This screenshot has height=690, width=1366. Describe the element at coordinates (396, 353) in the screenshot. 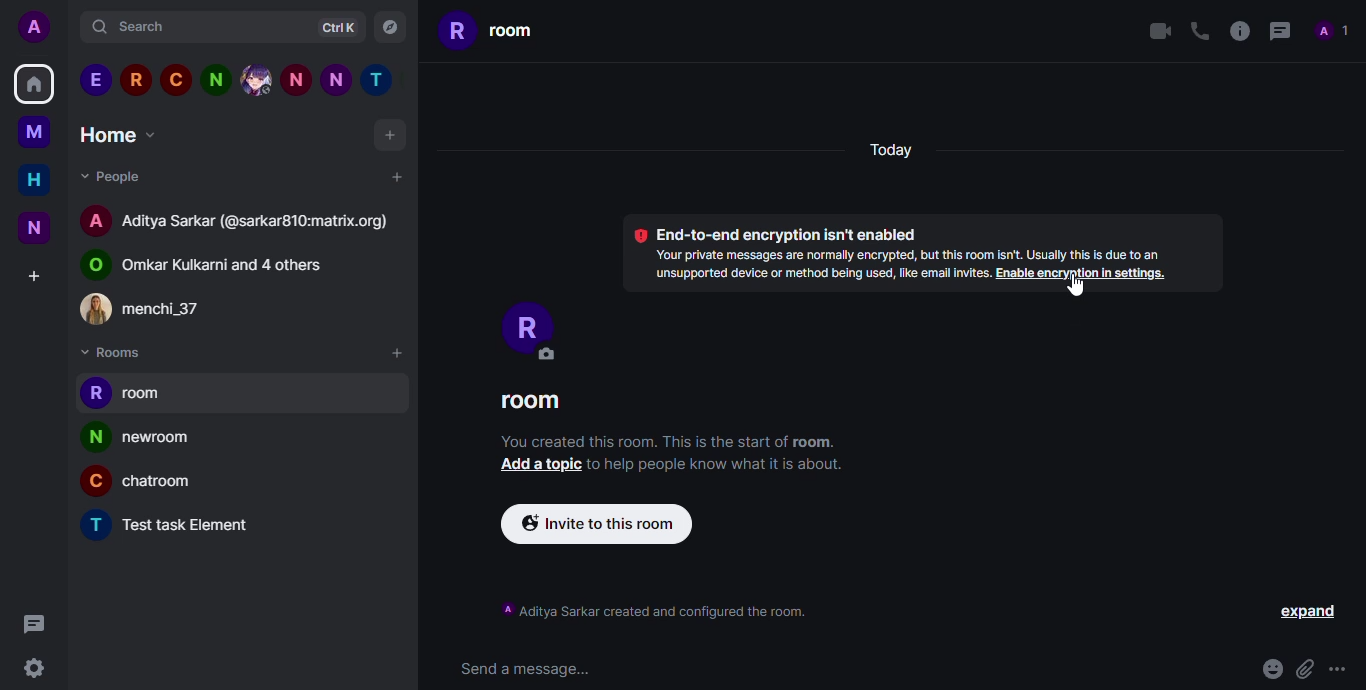

I see `add` at that location.